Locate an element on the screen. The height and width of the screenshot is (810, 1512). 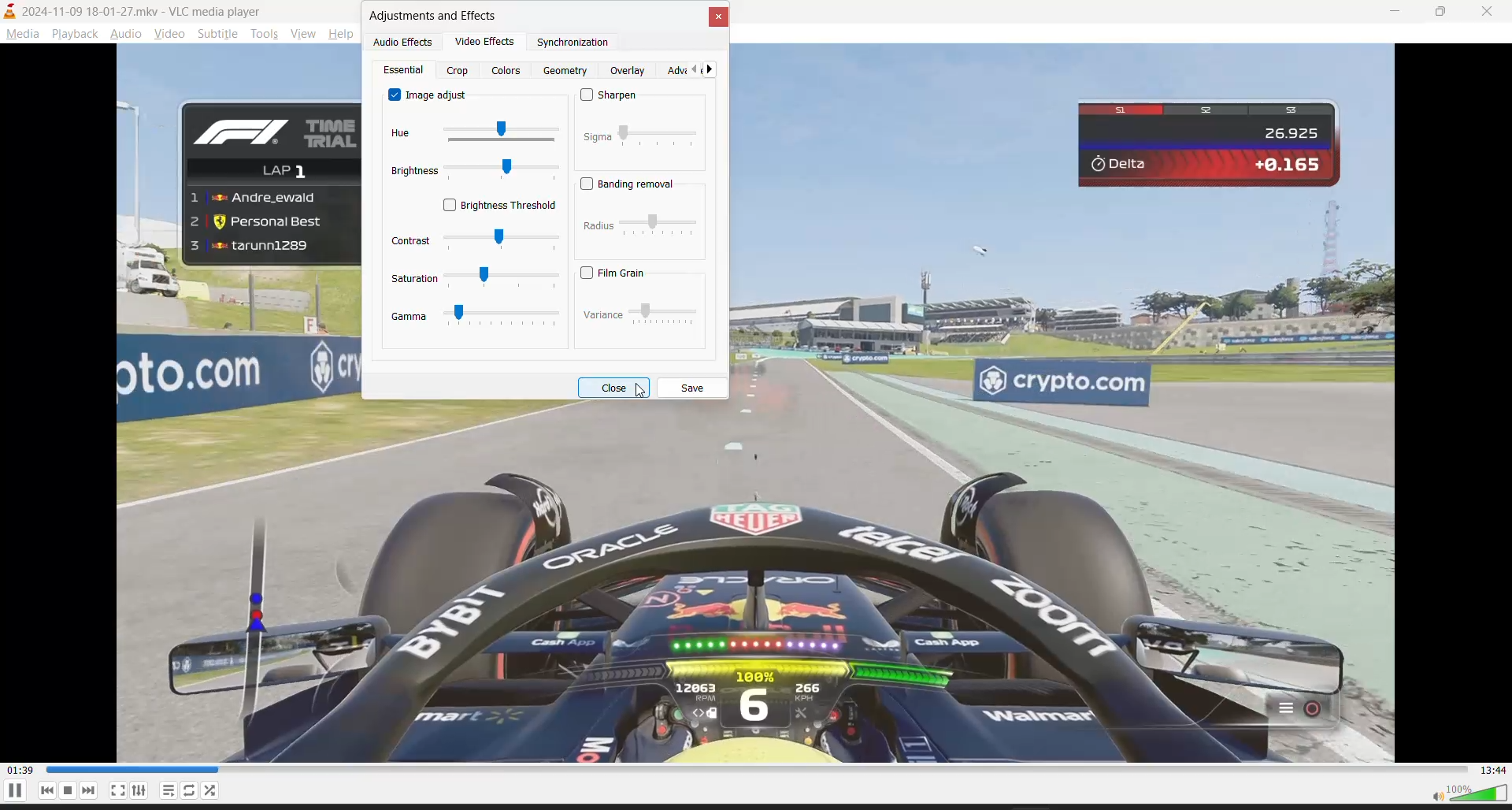
subtitle is located at coordinates (216, 35).